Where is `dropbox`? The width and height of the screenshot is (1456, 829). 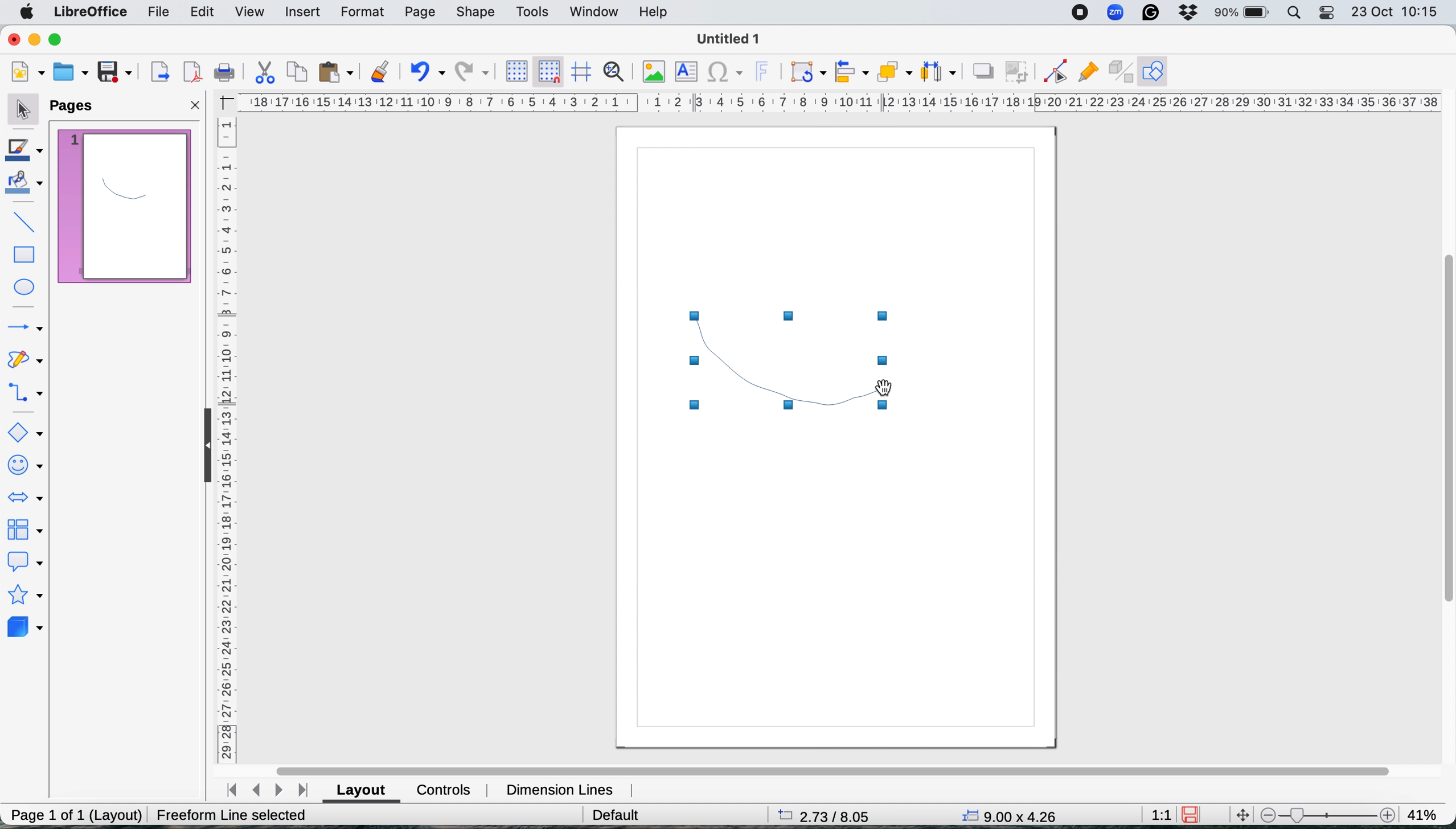
dropbox is located at coordinates (1191, 13).